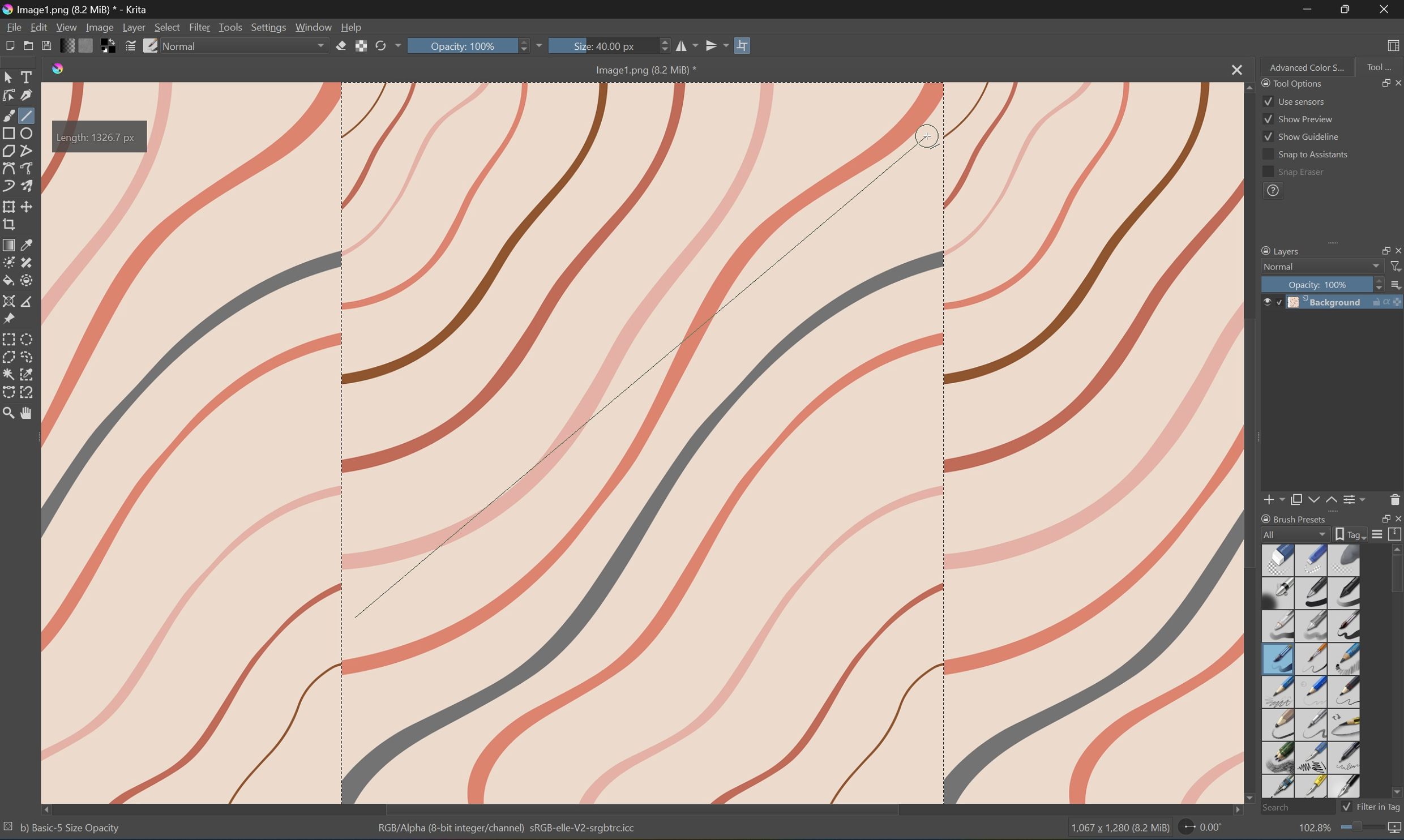 This screenshot has height=840, width=1404. Describe the element at coordinates (362, 48) in the screenshot. I see `Preserve alpha` at that location.